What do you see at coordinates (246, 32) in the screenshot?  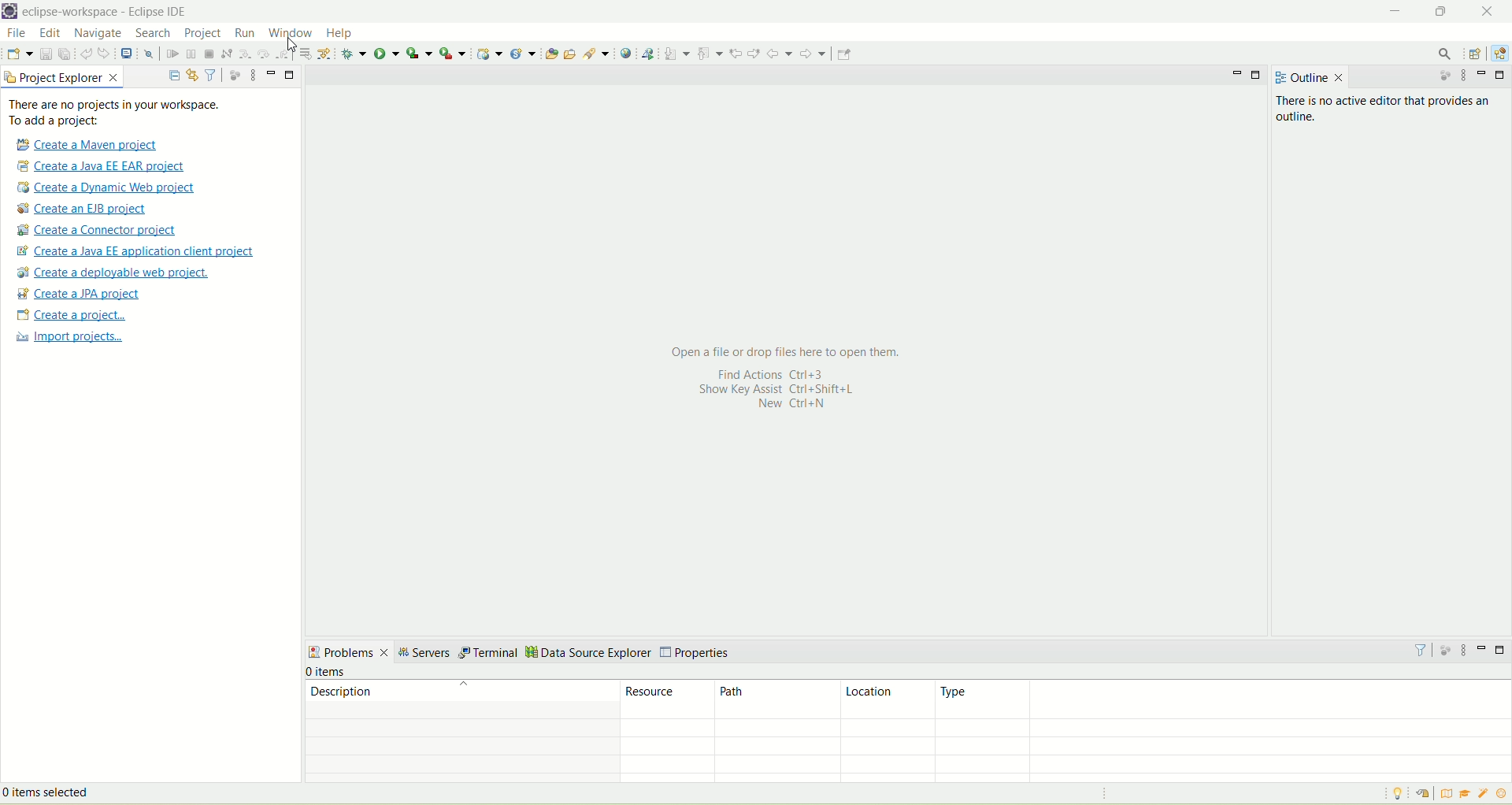 I see `run` at bounding box center [246, 32].